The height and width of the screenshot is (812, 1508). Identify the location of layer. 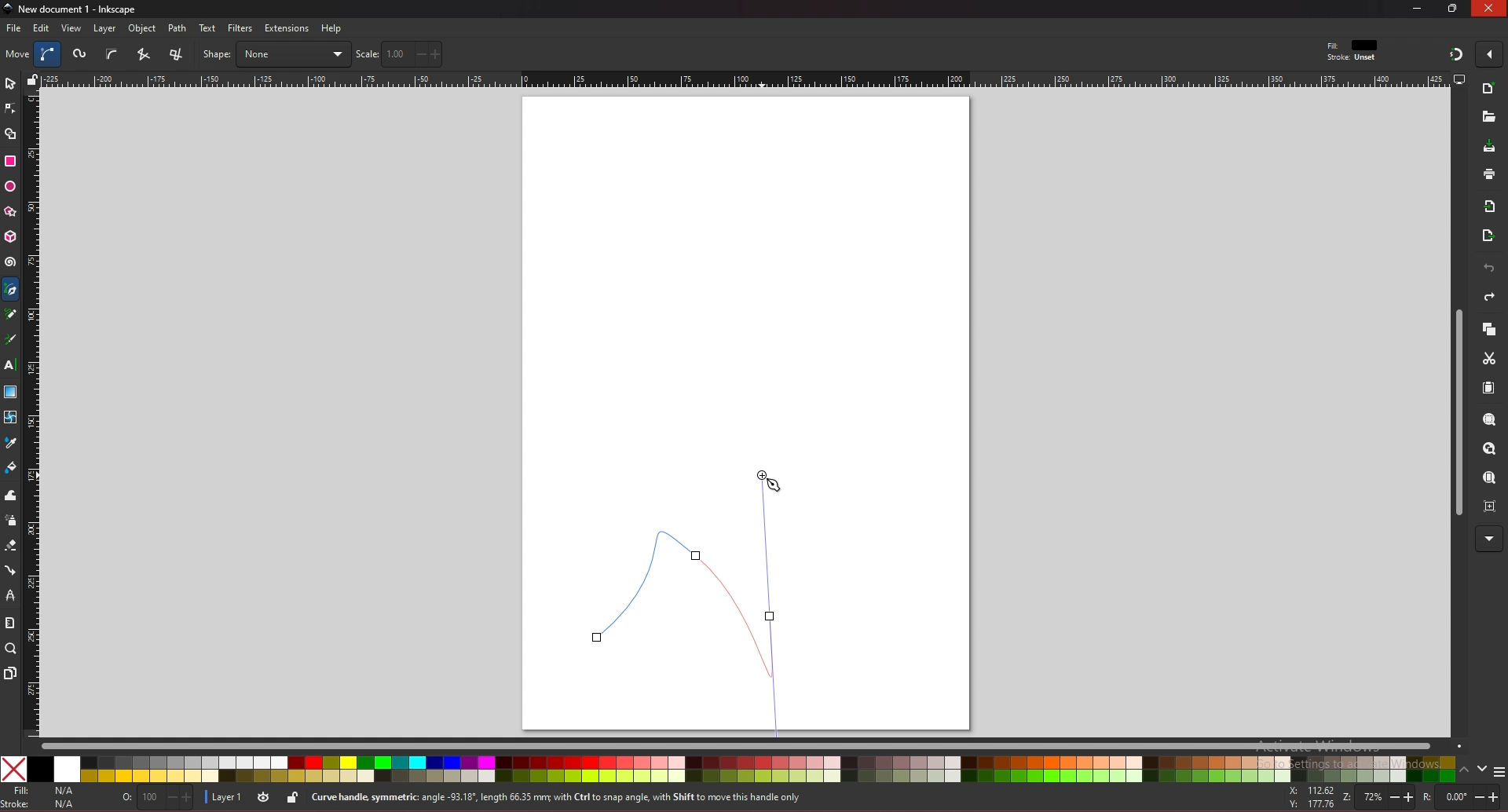
(222, 798).